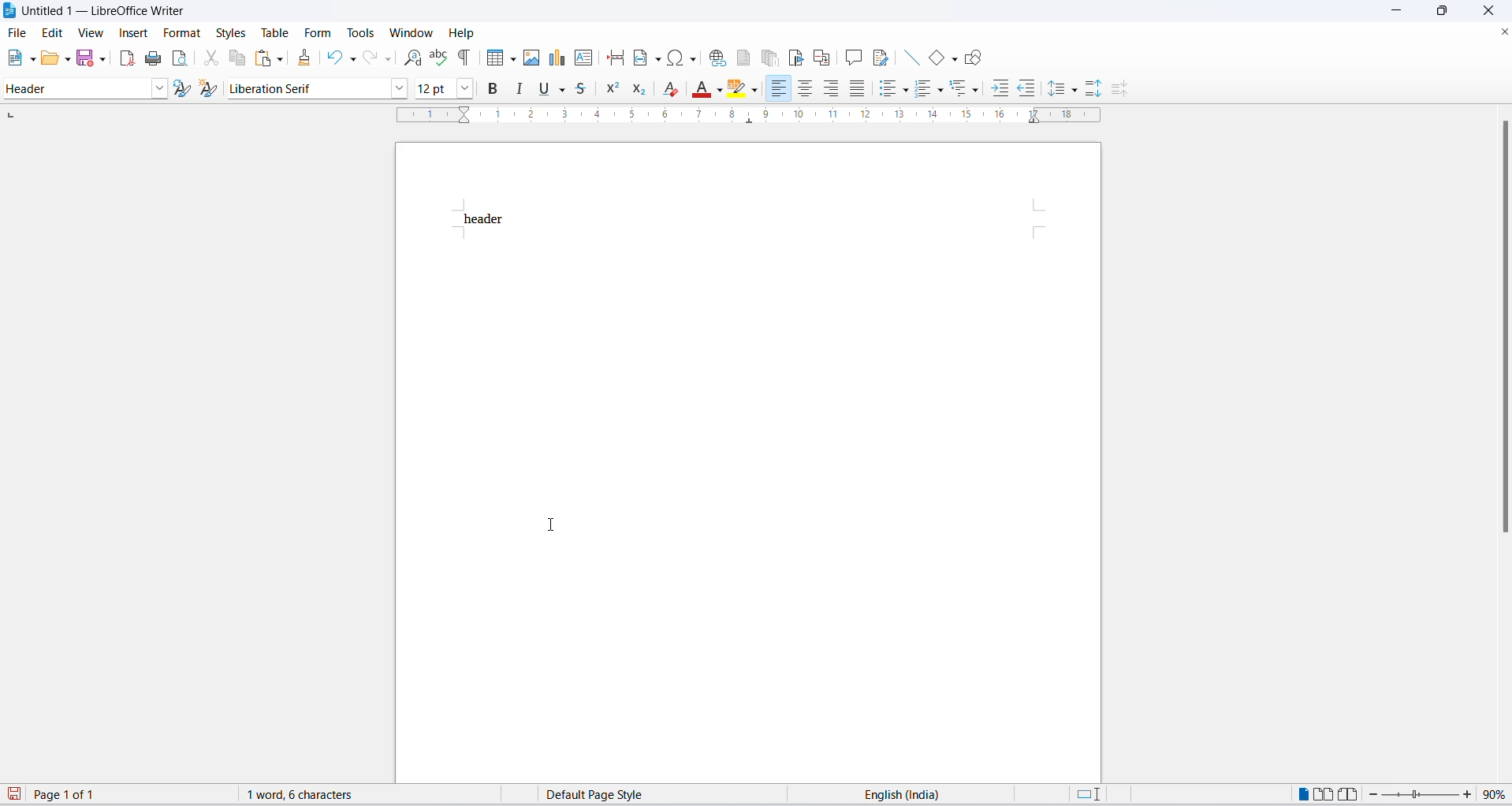  I want to click on cursor, so click(559, 530).